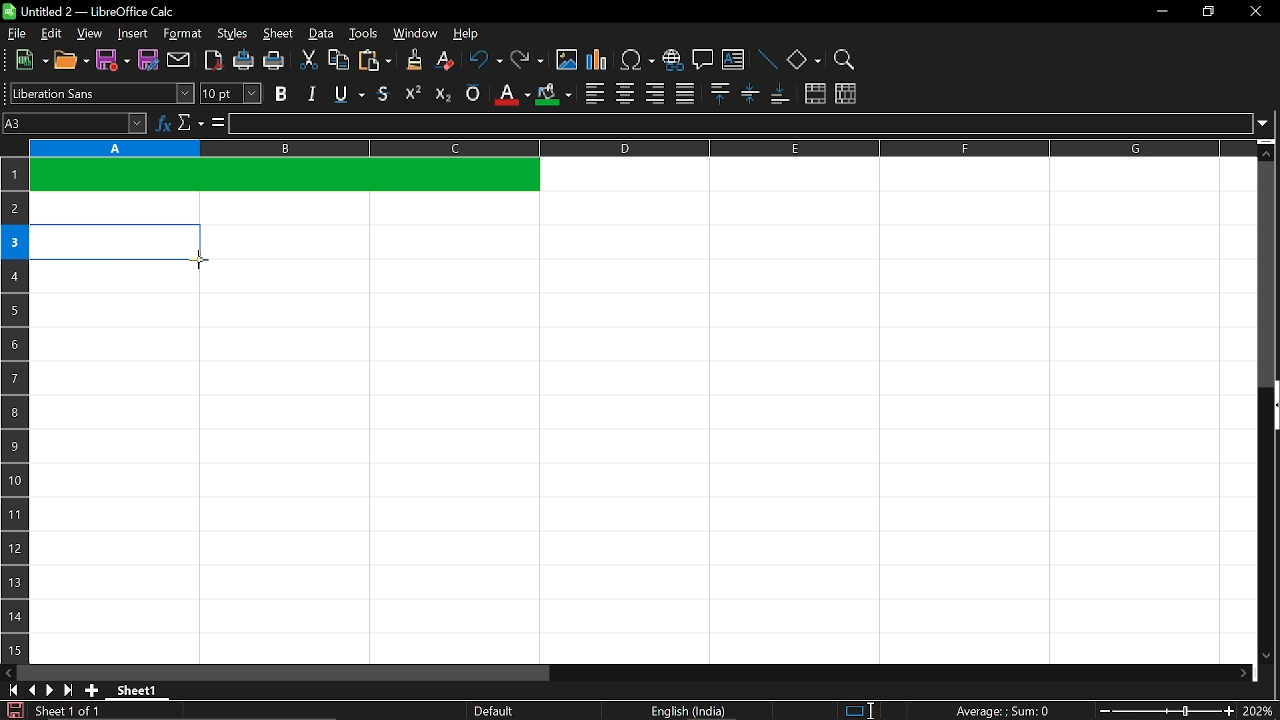  I want to click on undo, so click(484, 61).